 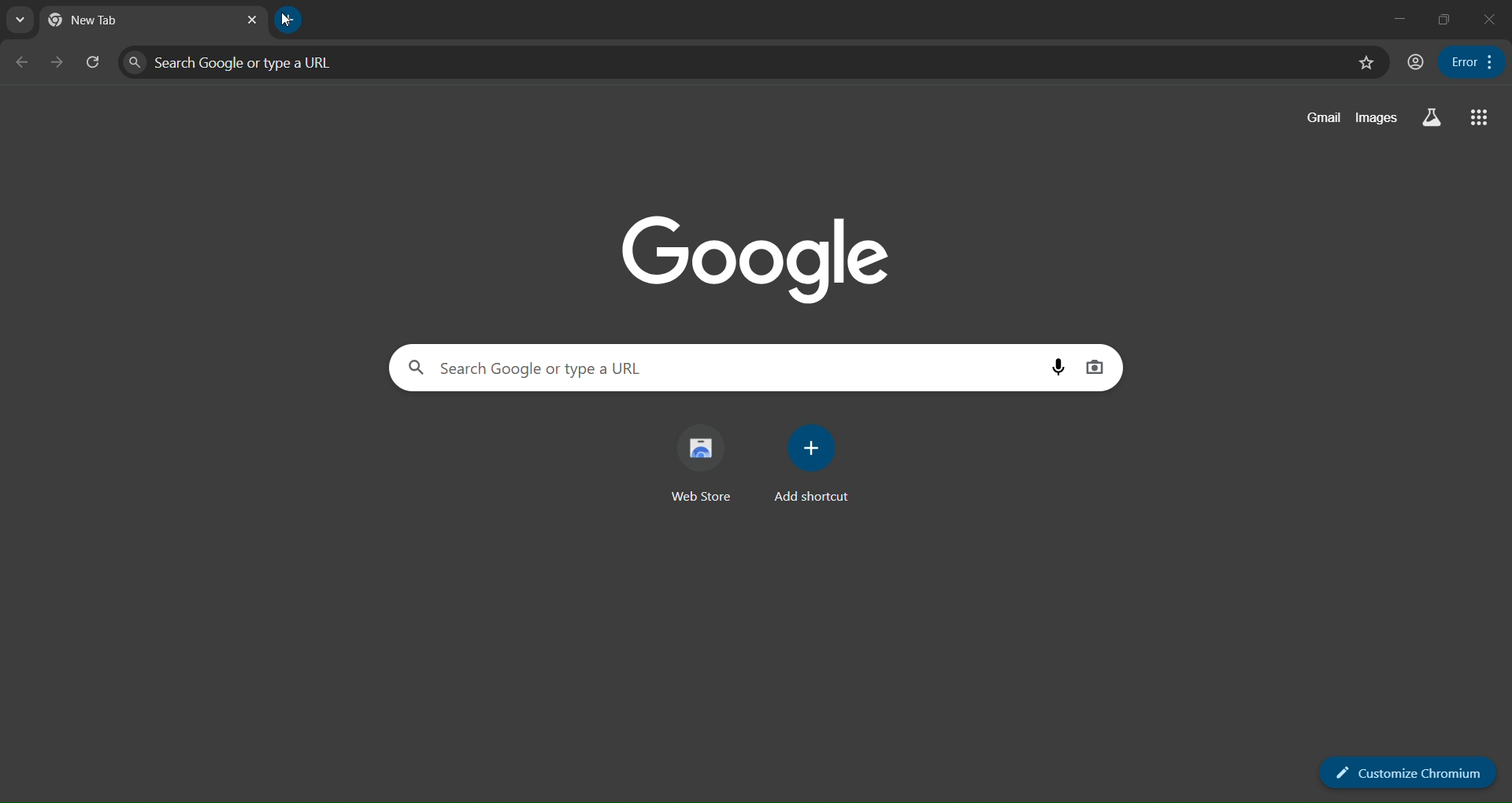 What do you see at coordinates (410, 368) in the screenshot?
I see `google search` at bounding box center [410, 368].